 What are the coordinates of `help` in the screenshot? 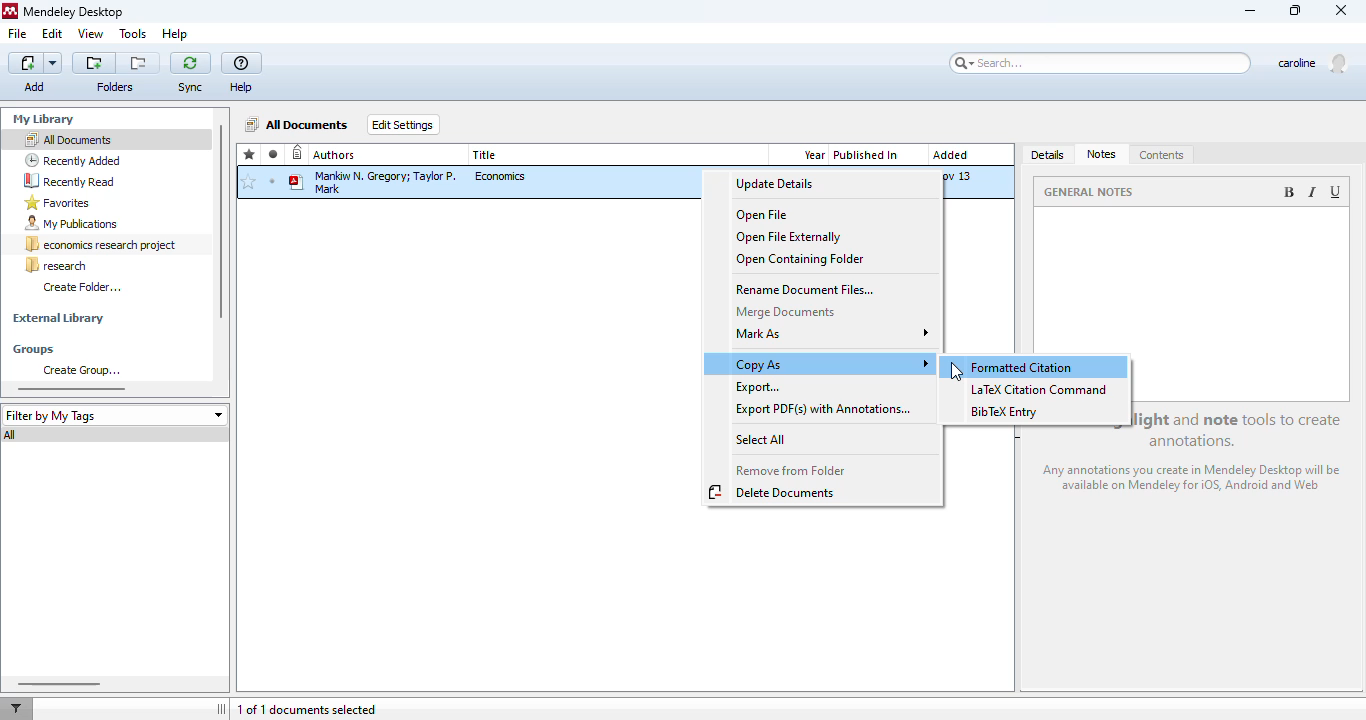 It's located at (242, 64).